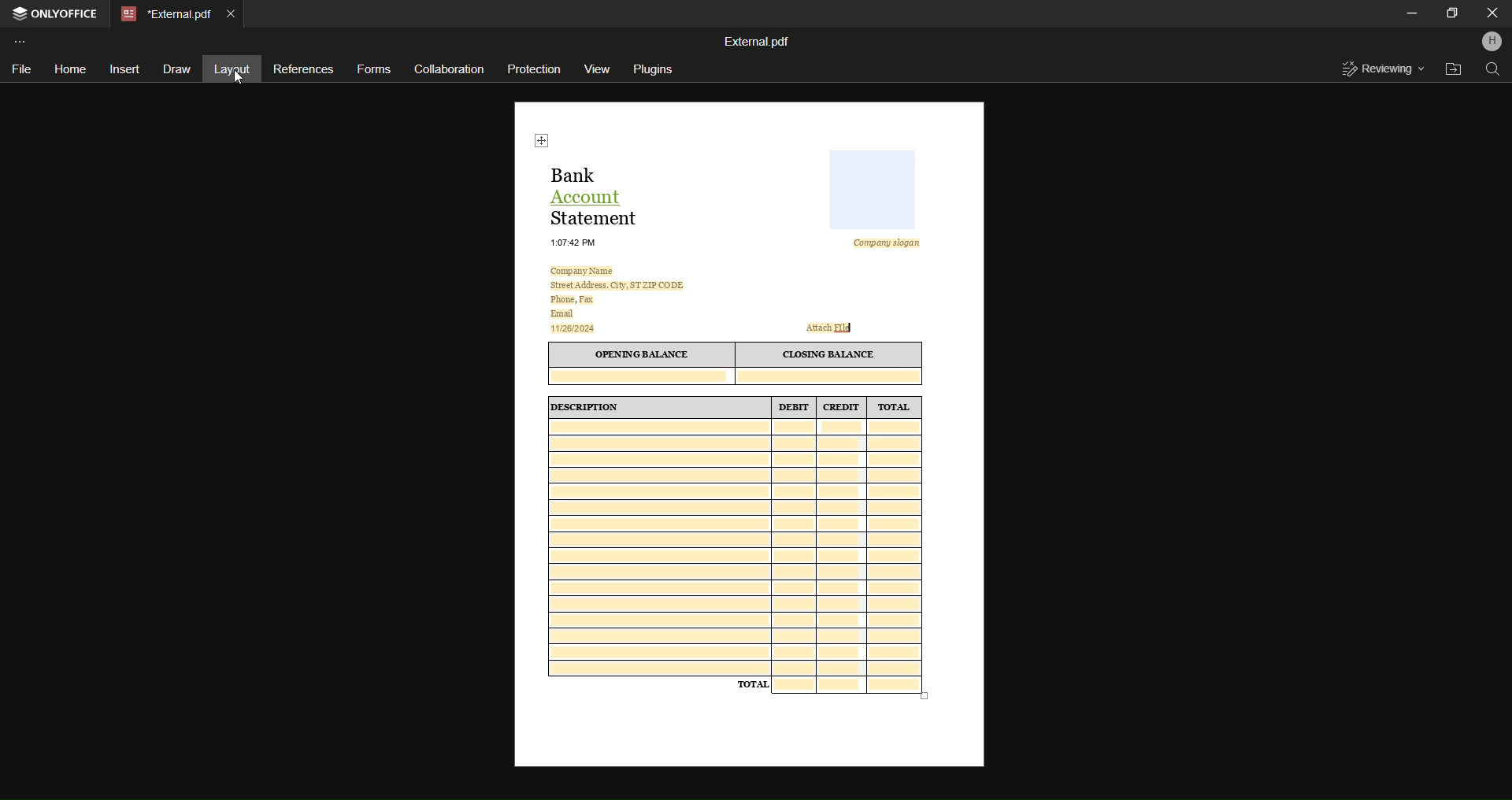 The image size is (1512, 800). I want to click on Protection, so click(535, 69).